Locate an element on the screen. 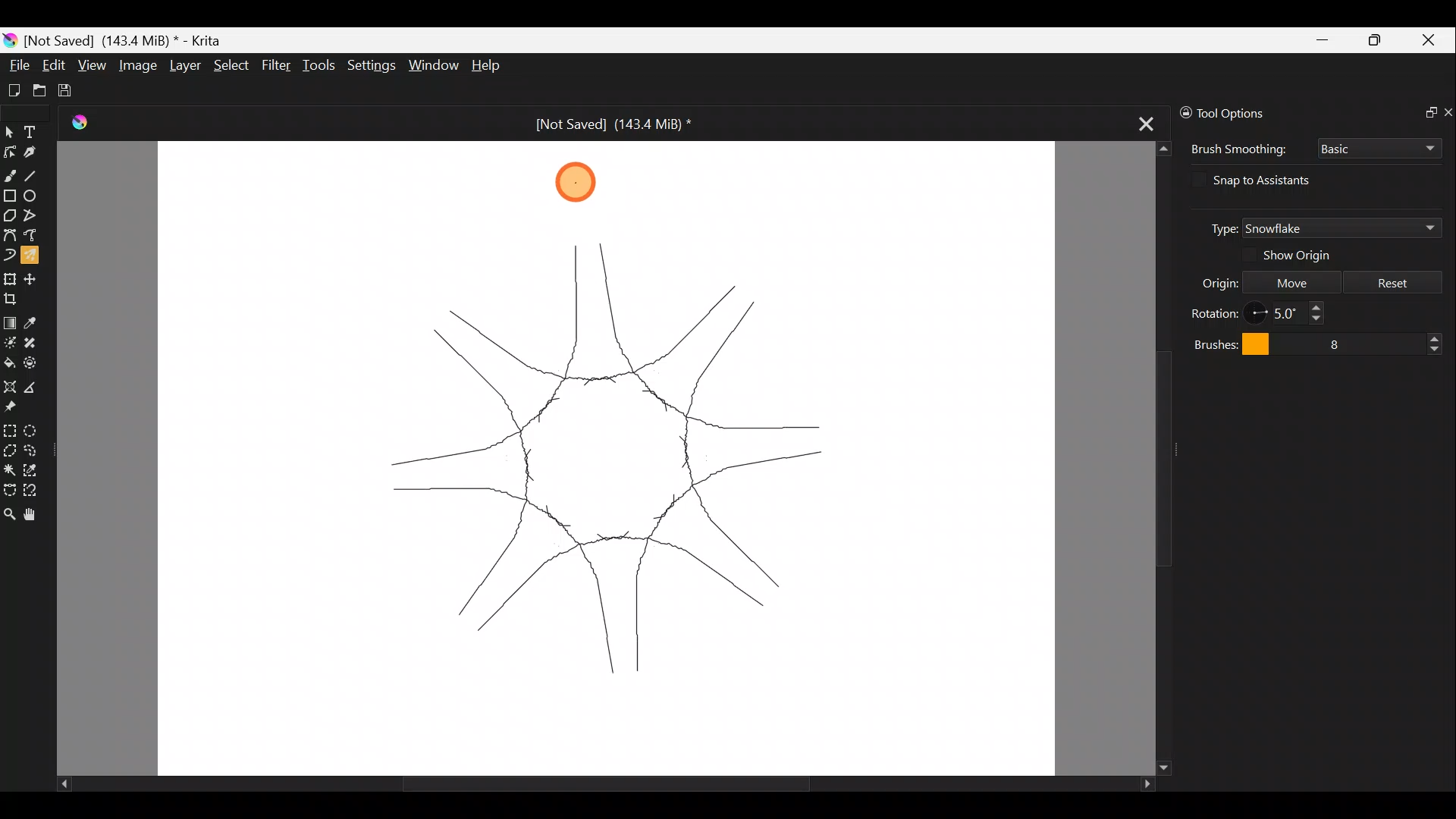 The image size is (1456, 819). 8 is located at coordinates (1370, 341).